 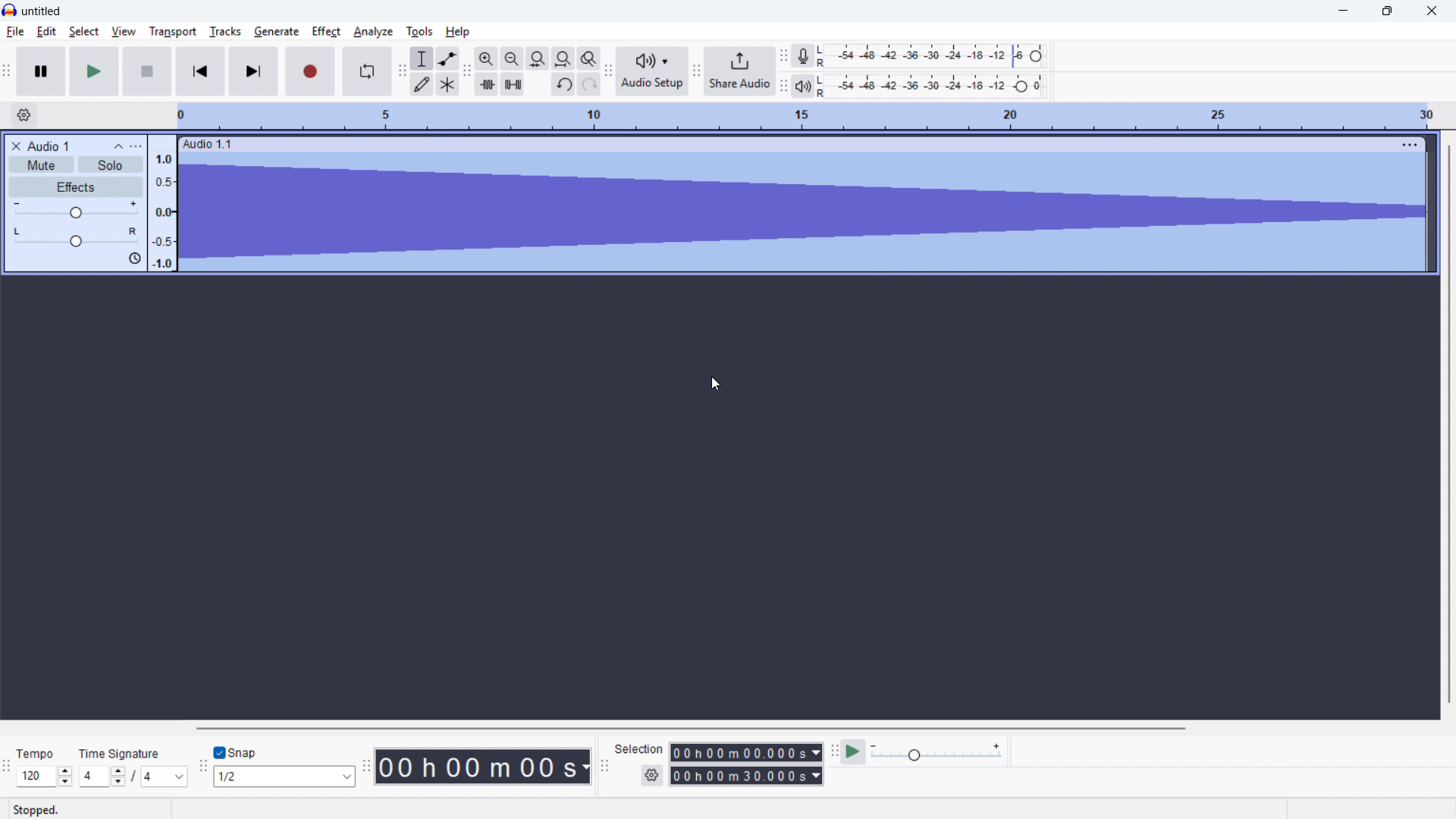 I want to click on Sync lock on , so click(x=134, y=259).